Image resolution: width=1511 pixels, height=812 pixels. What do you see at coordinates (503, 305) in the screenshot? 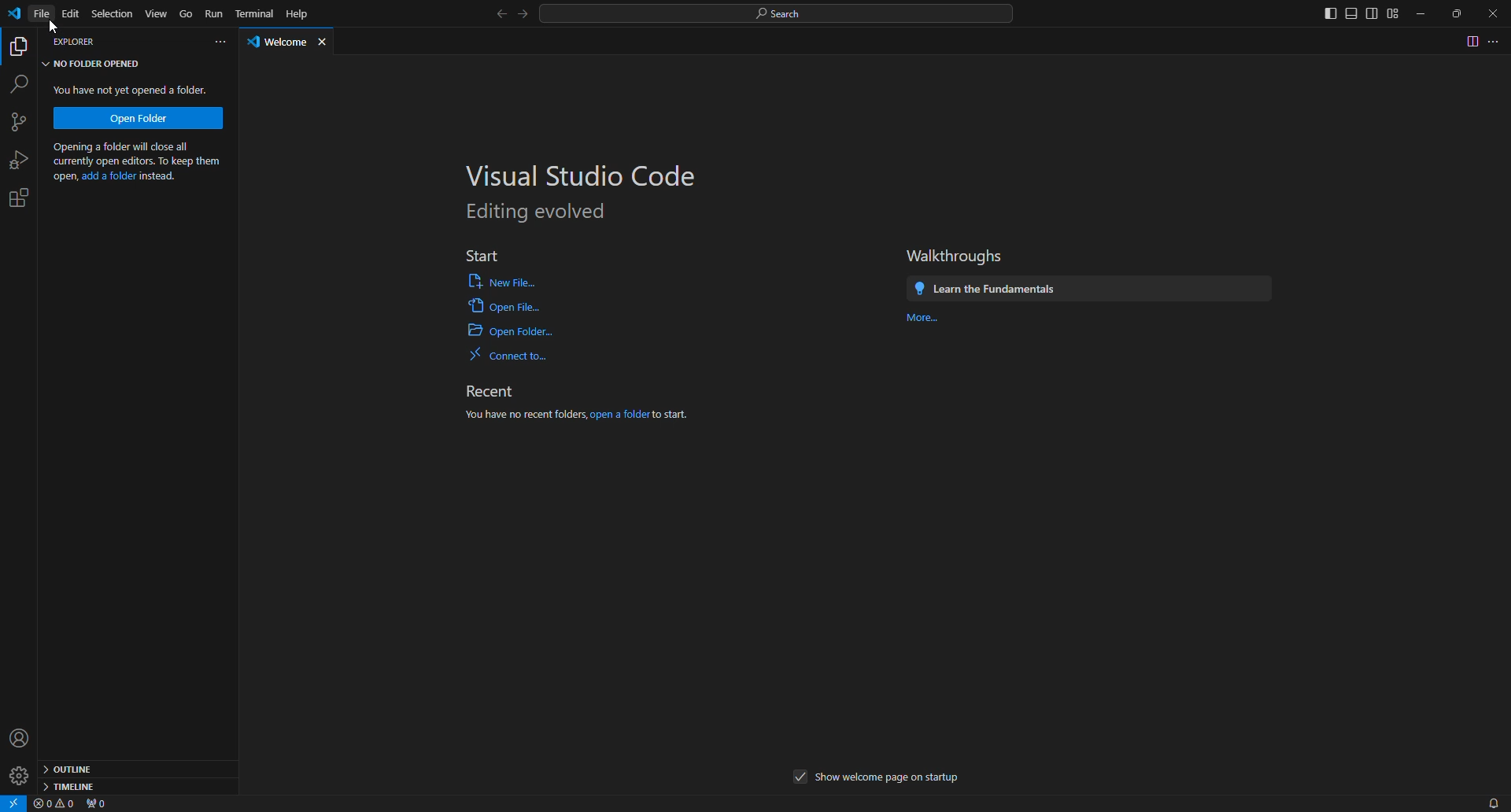
I see `open file` at bounding box center [503, 305].